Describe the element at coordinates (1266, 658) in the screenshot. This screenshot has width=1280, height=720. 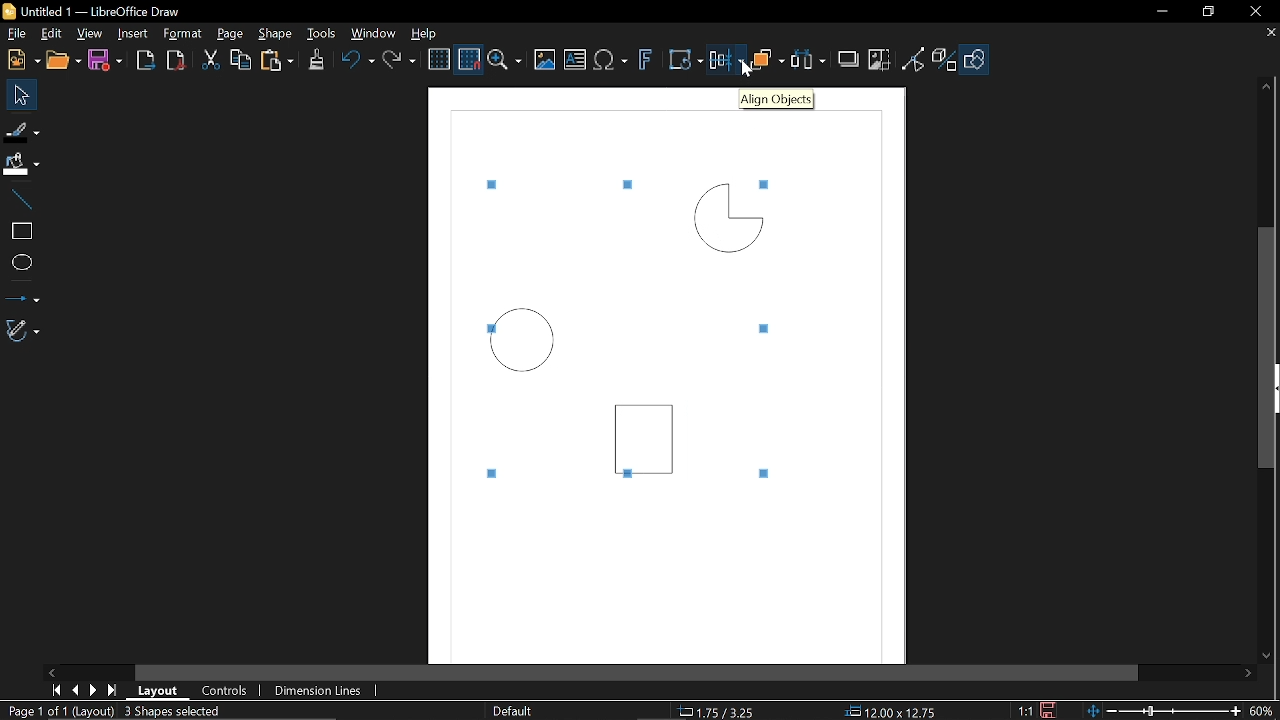
I see `Move down` at that location.